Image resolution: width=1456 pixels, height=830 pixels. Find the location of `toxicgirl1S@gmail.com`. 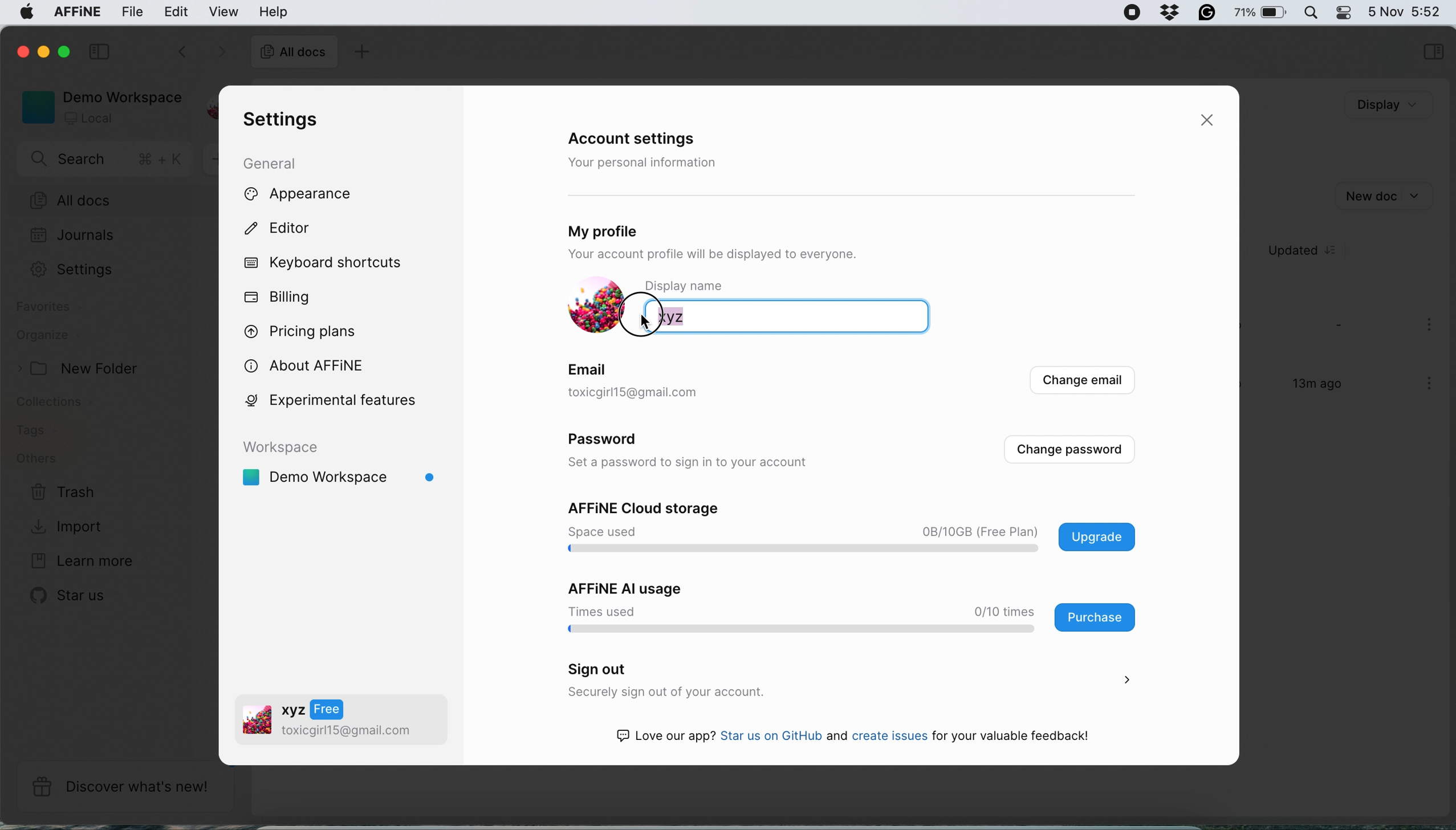

toxicgirl1S@gmail.com is located at coordinates (654, 393).